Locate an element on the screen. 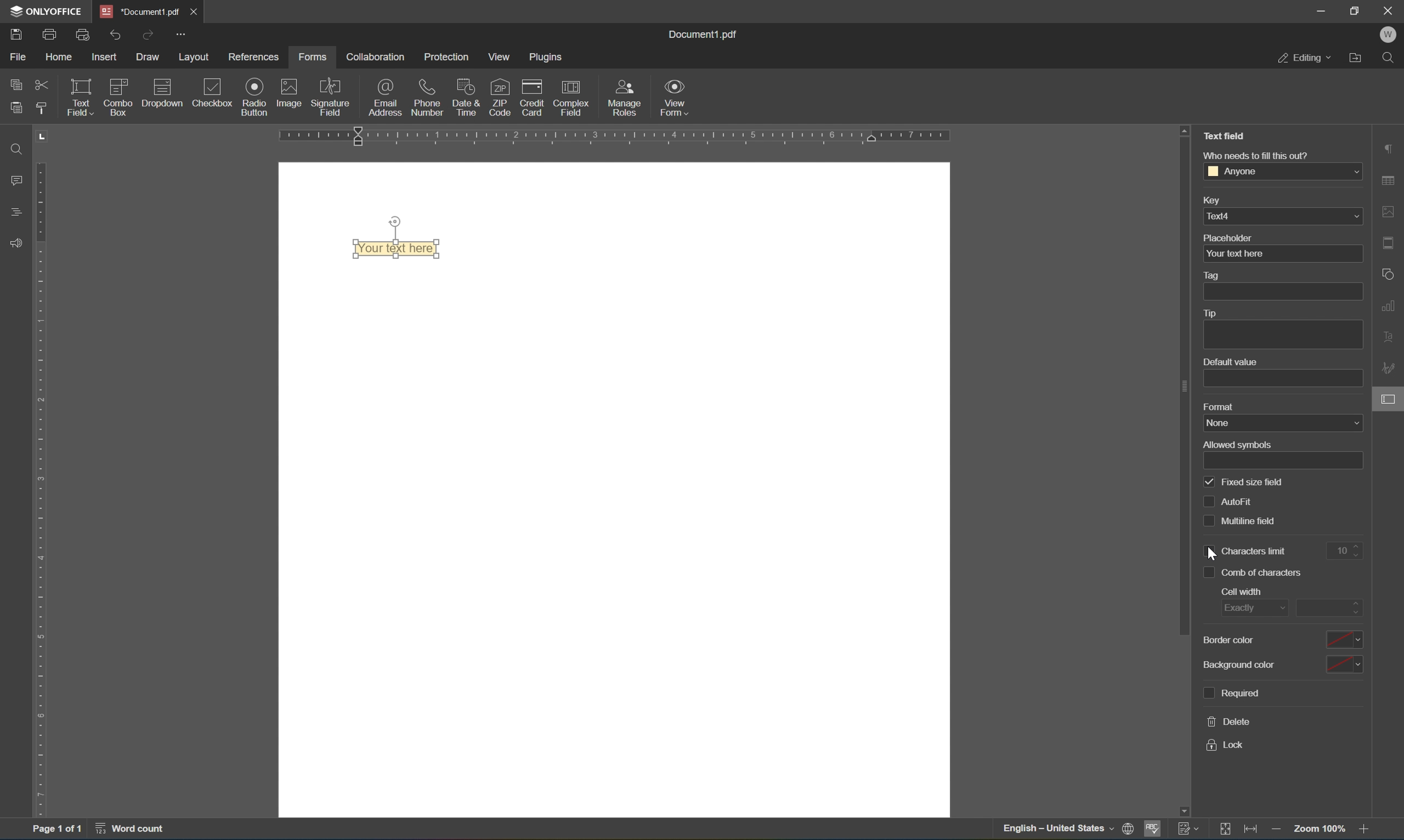 Image resolution: width=1404 pixels, height=840 pixels. comb of characters is located at coordinates (1265, 573).